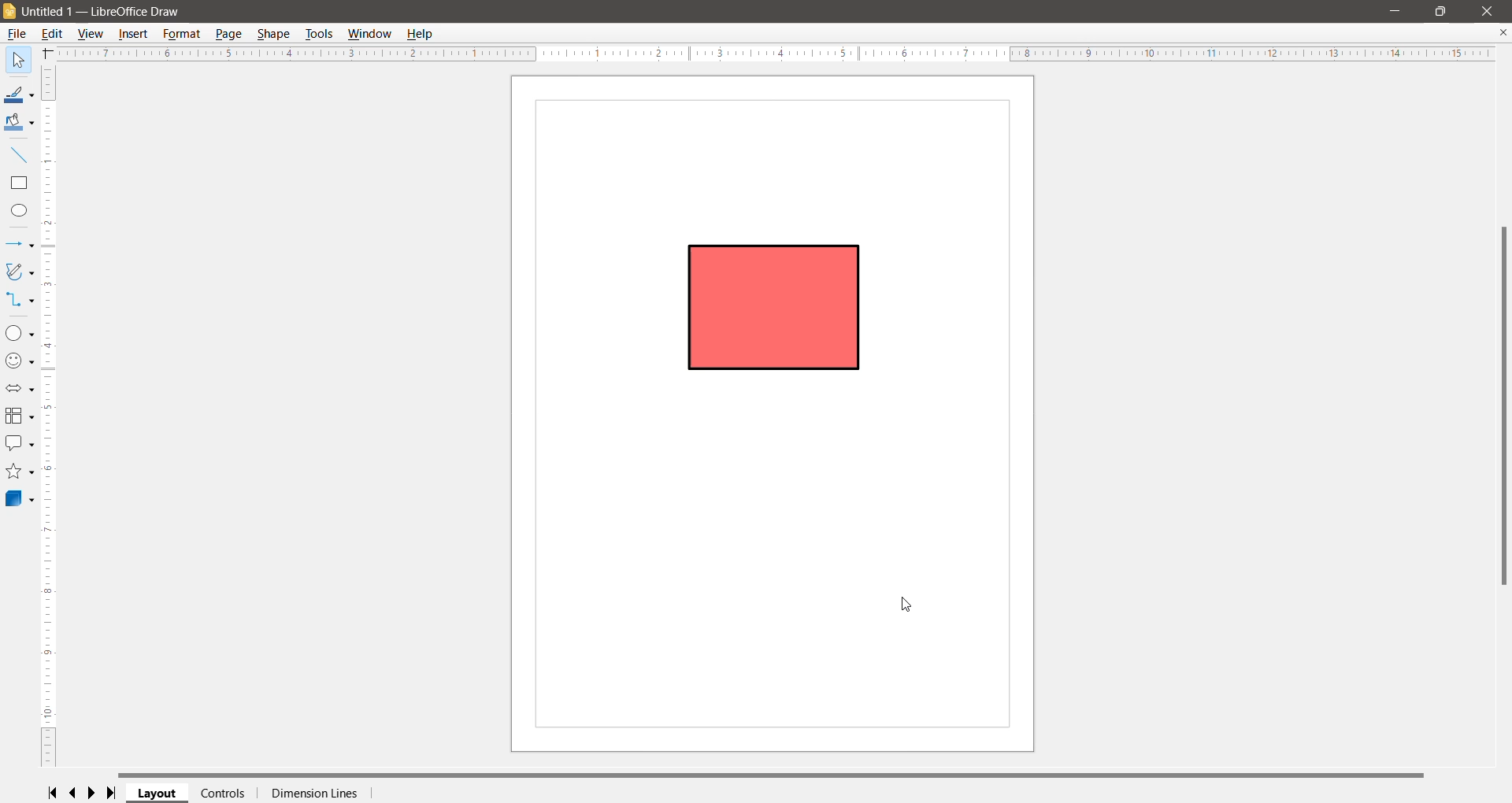 This screenshot has height=803, width=1512. I want to click on Curves and Polygons, so click(19, 271).